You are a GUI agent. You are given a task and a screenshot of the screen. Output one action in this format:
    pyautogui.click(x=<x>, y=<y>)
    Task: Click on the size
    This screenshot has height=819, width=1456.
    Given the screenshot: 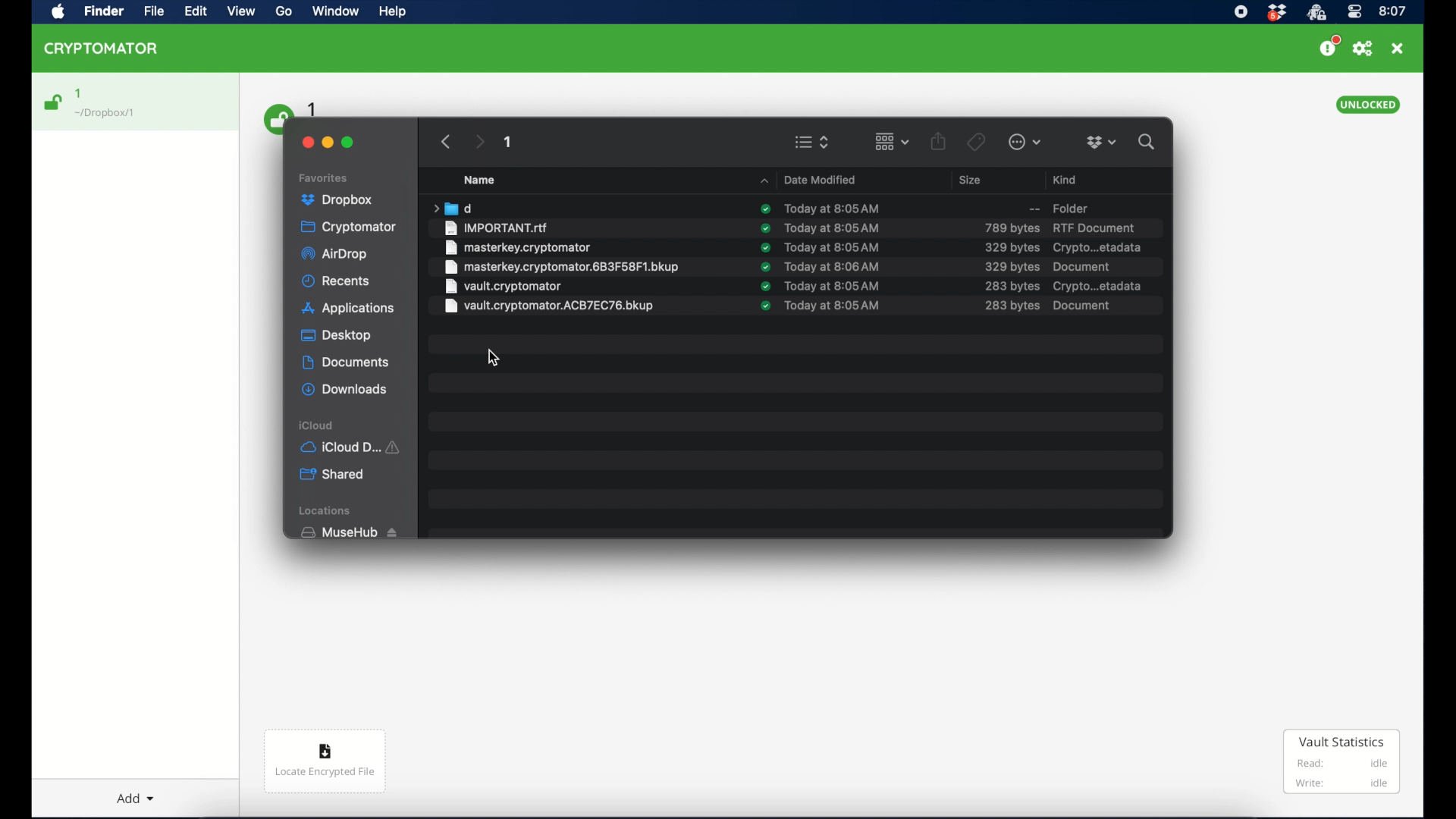 What is the action you would take?
    pyautogui.click(x=1011, y=227)
    